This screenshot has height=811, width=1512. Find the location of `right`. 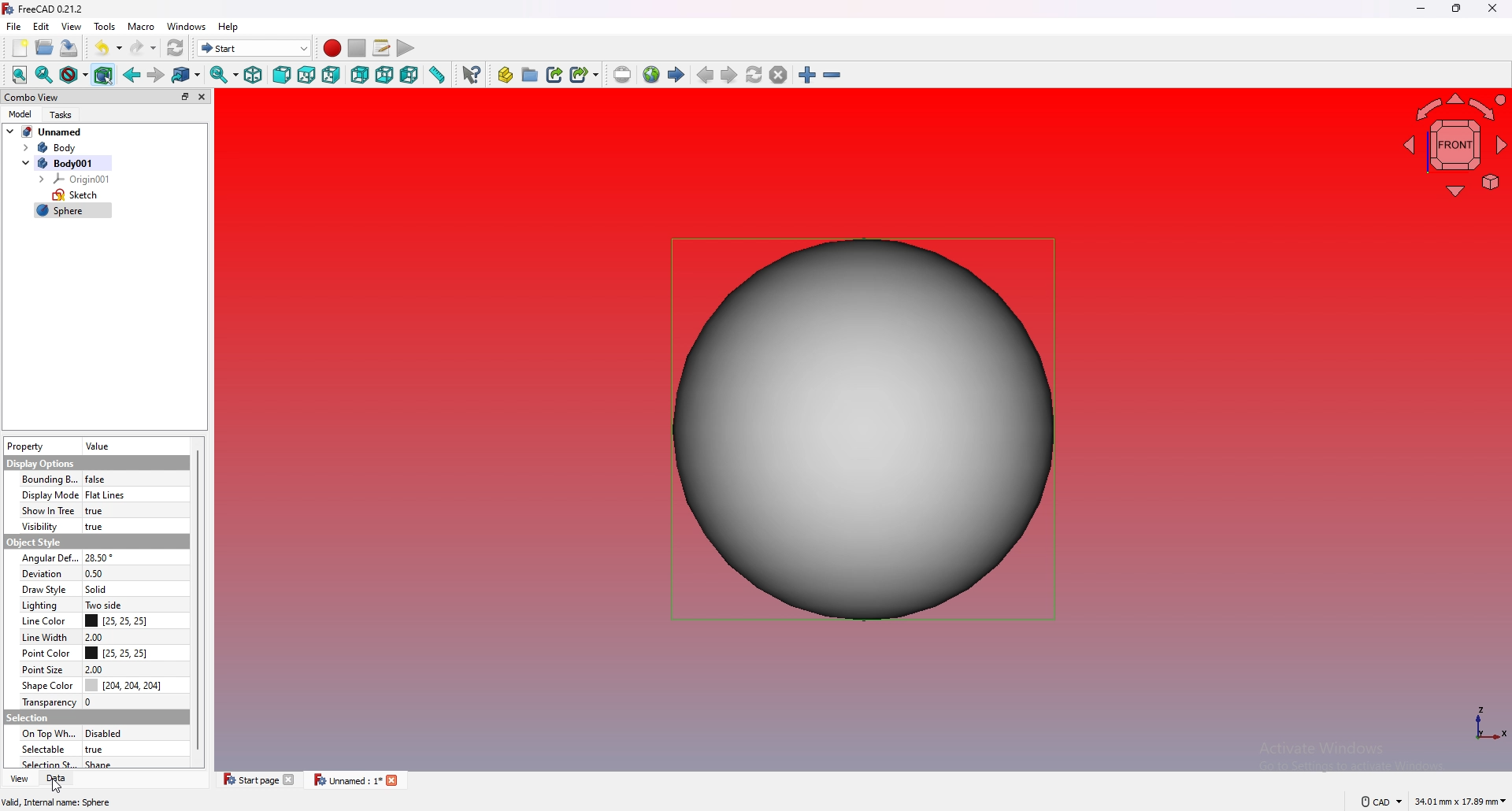

right is located at coordinates (331, 74).